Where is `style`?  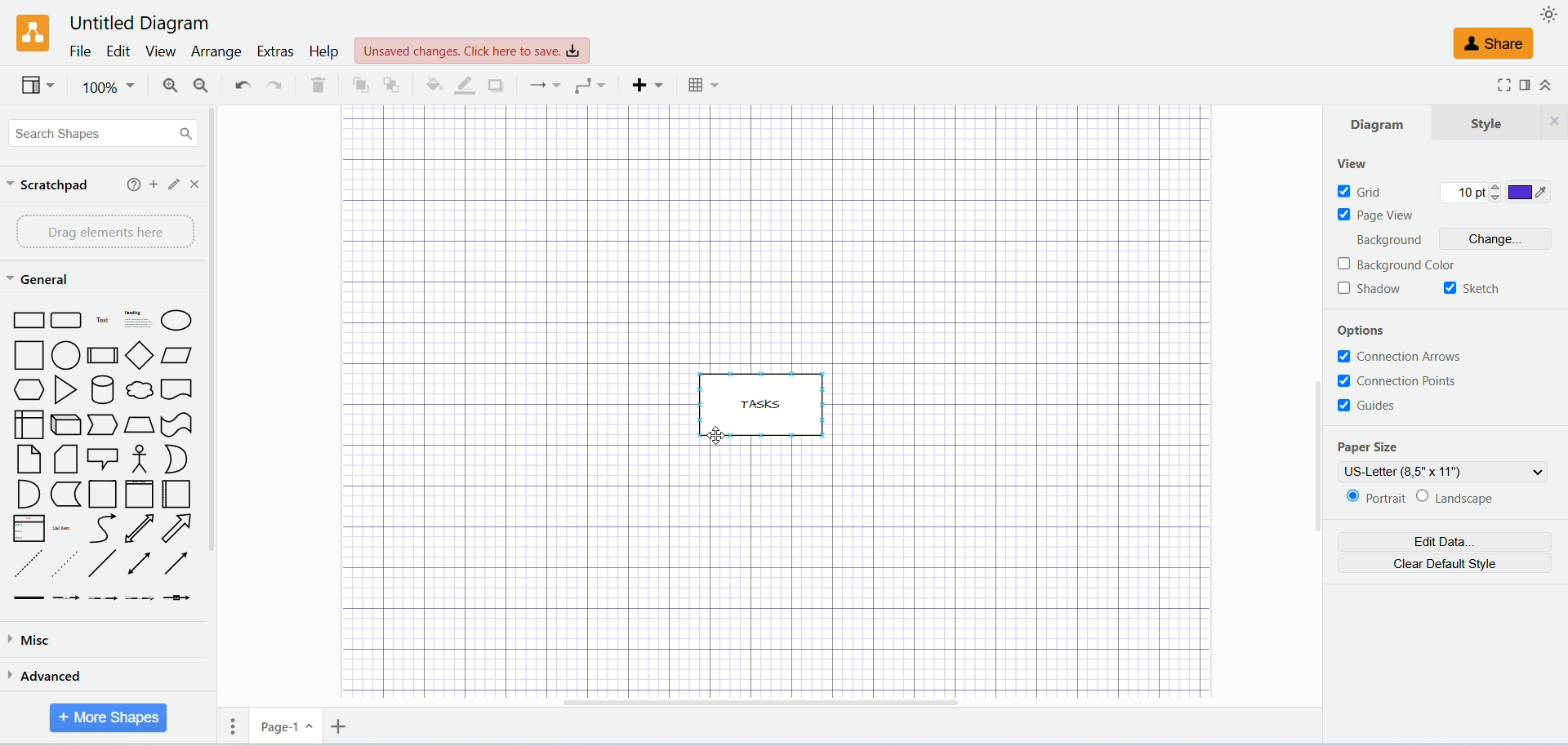
style is located at coordinates (1500, 126).